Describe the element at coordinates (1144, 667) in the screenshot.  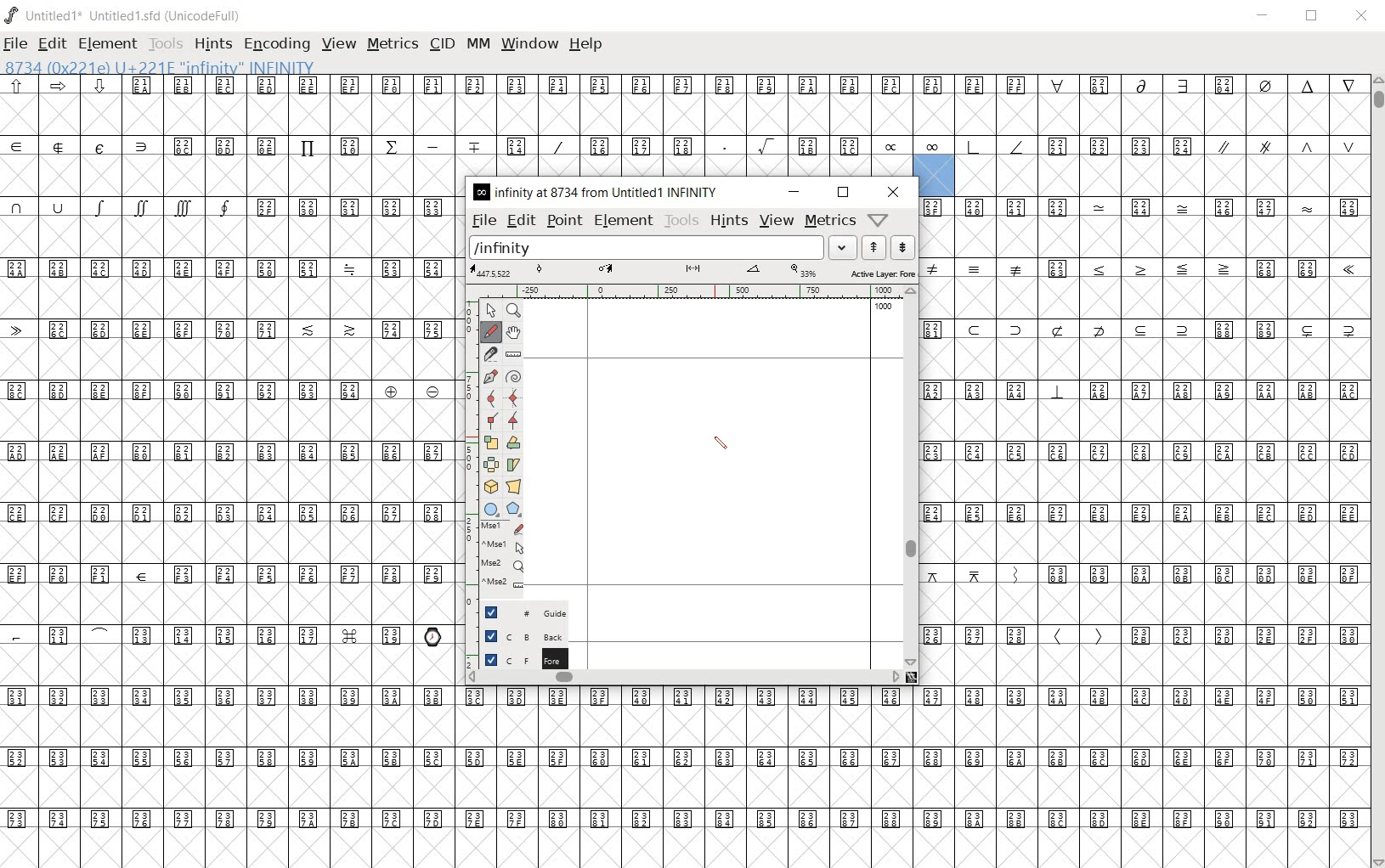
I see `empty glyph slots` at that location.